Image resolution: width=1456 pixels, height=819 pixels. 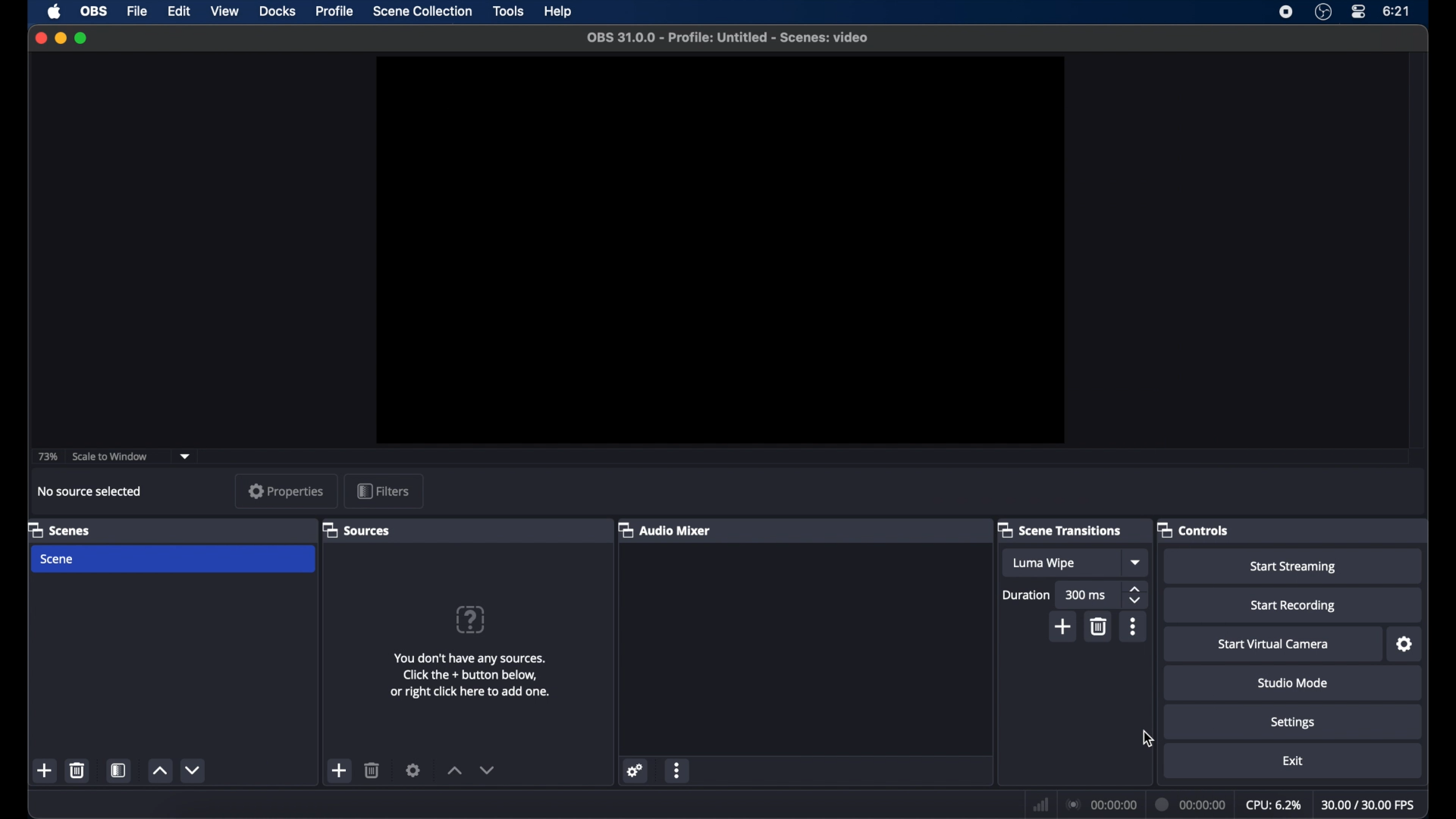 What do you see at coordinates (111, 455) in the screenshot?
I see `scale to window` at bounding box center [111, 455].